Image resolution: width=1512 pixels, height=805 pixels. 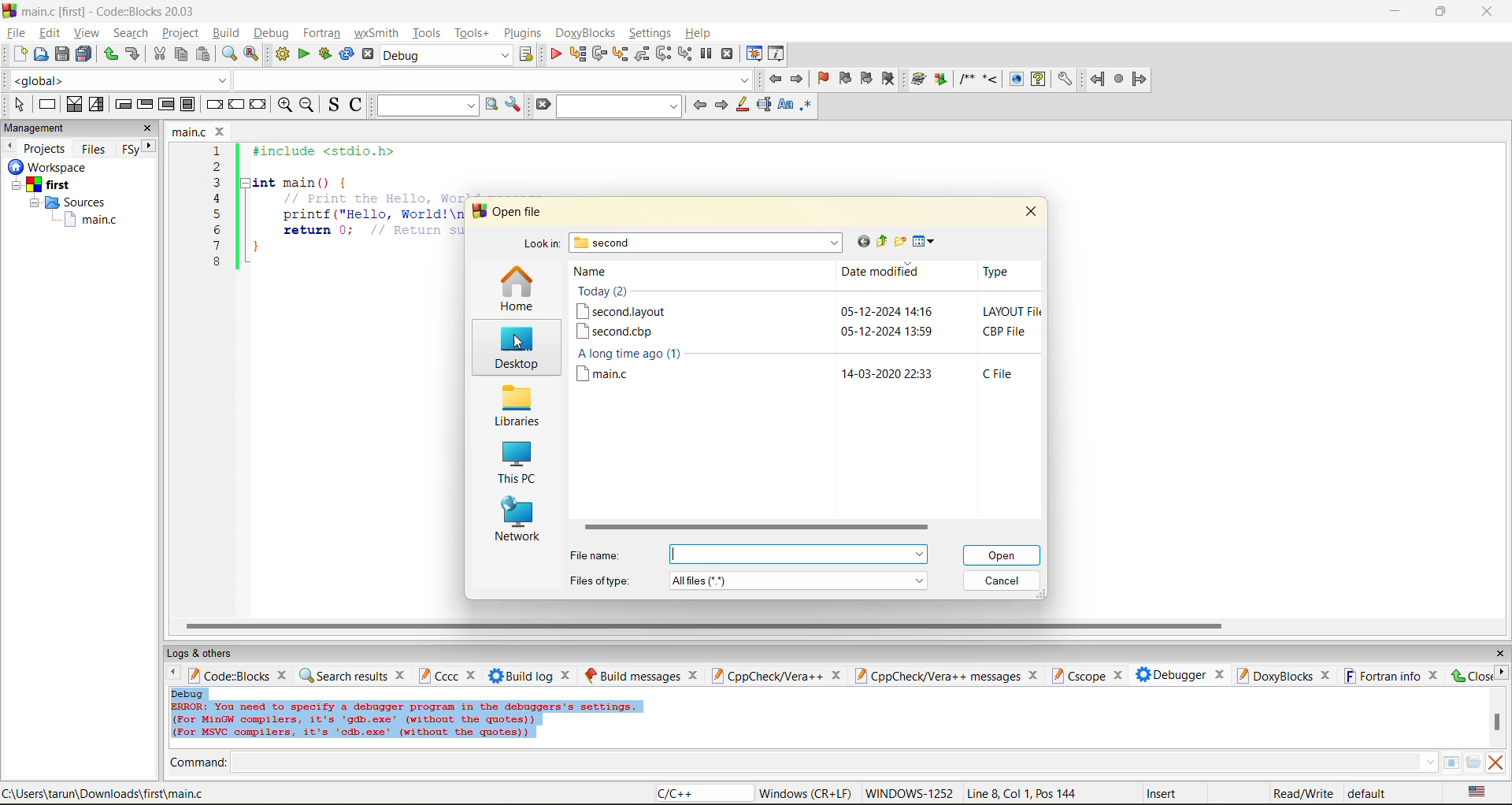 What do you see at coordinates (1273, 675) in the screenshot?
I see `doxyblocks` at bounding box center [1273, 675].